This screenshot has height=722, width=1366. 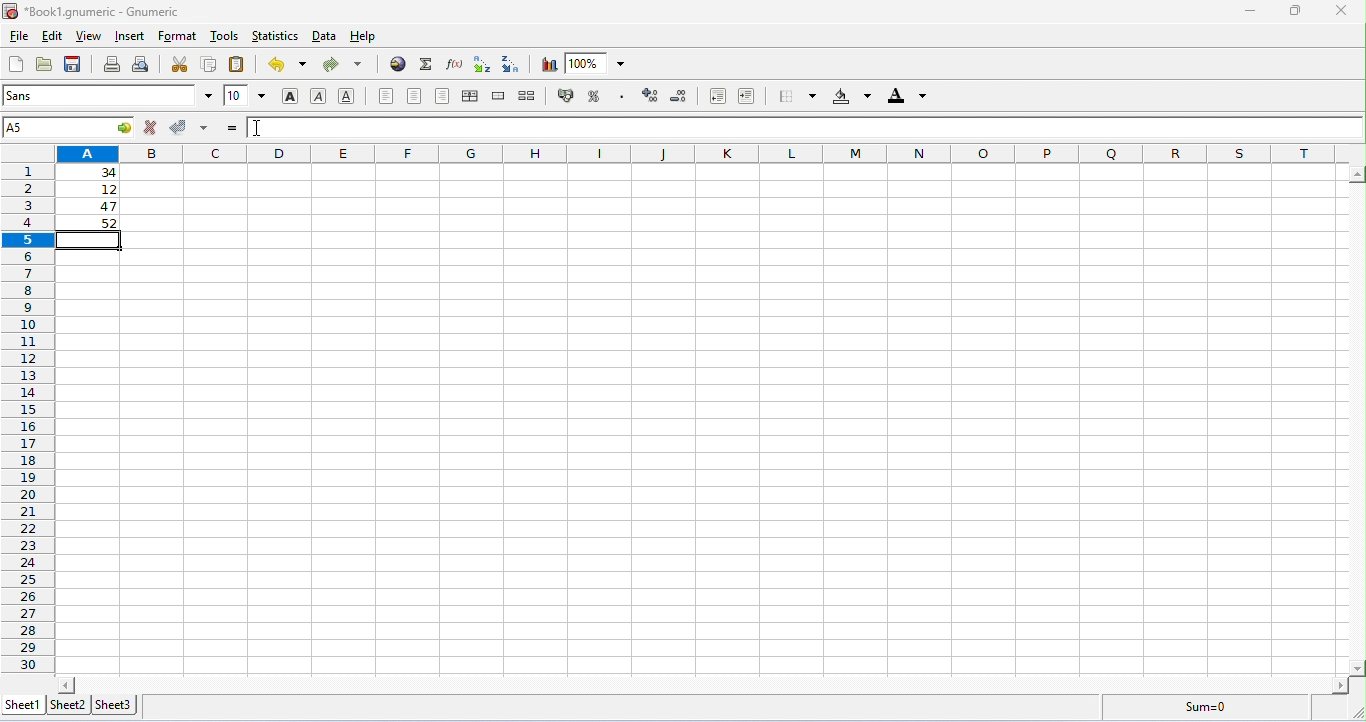 What do you see at coordinates (287, 64) in the screenshot?
I see `undo` at bounding box center [287, 64].